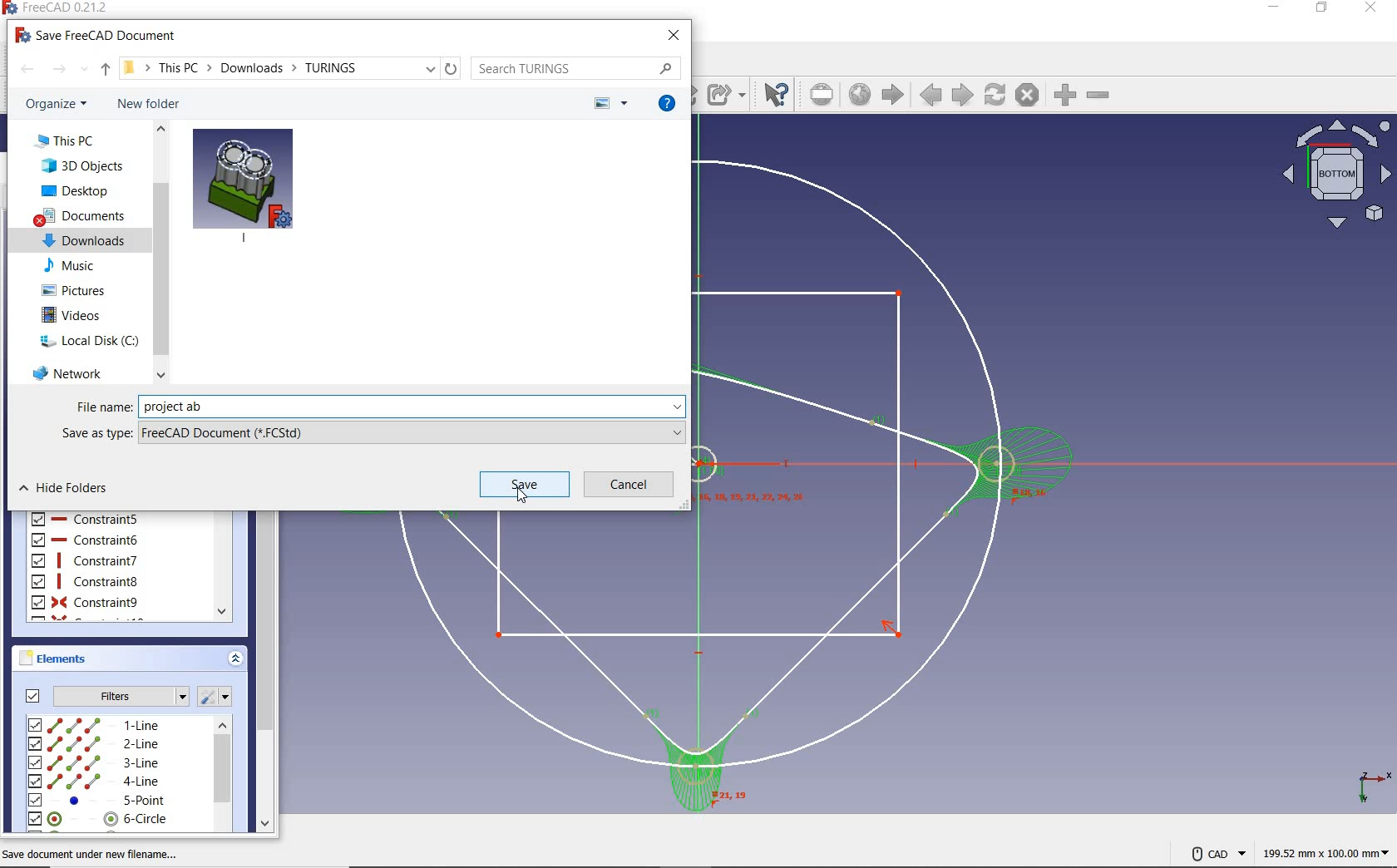 The height and width of the screenshot is (868, 1397). Describe the element at coordinates (98, 801) in the screenshot. I see `5-line` at that location.